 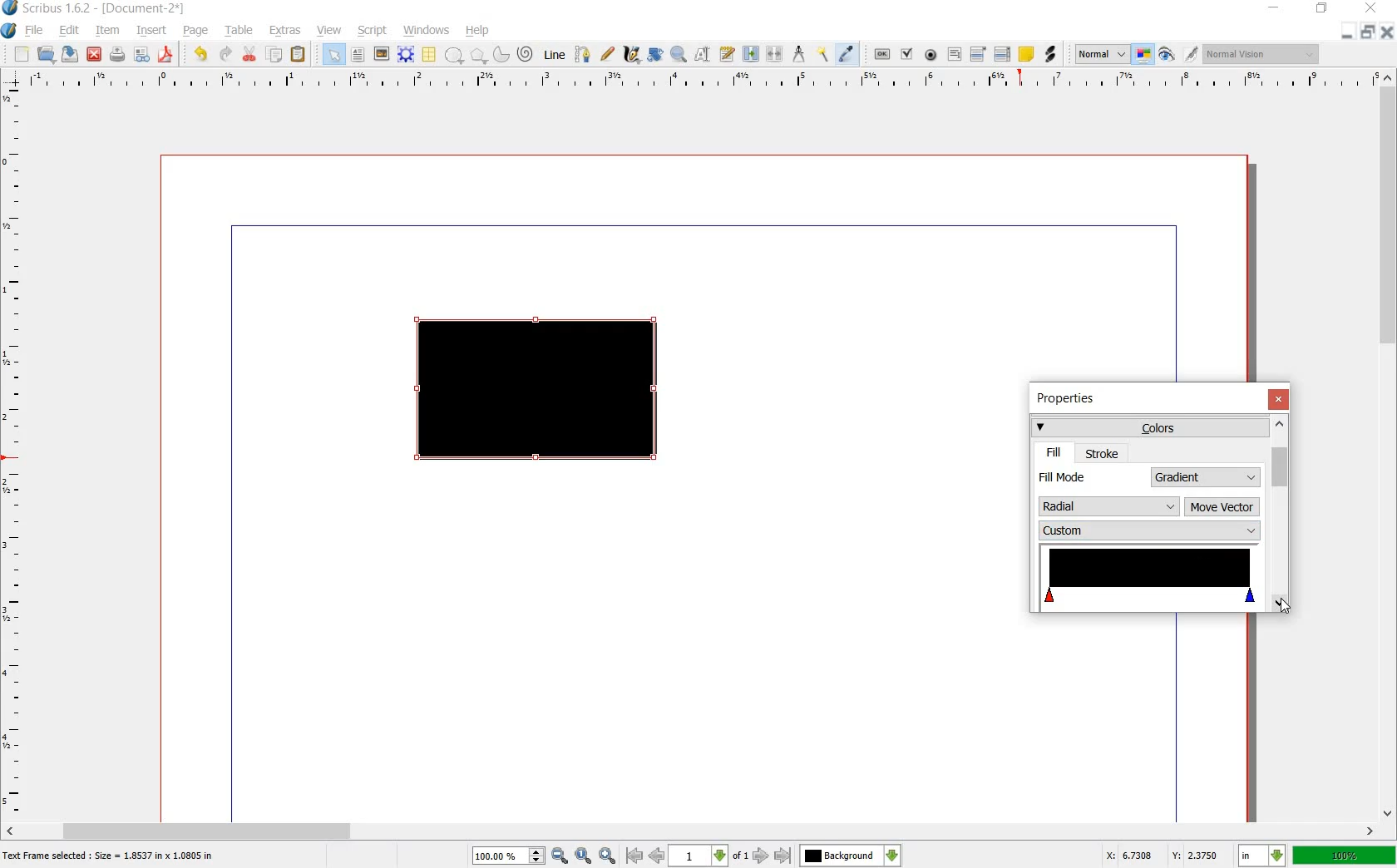 I want to click on pdf text field, so click(x=954, y=54).